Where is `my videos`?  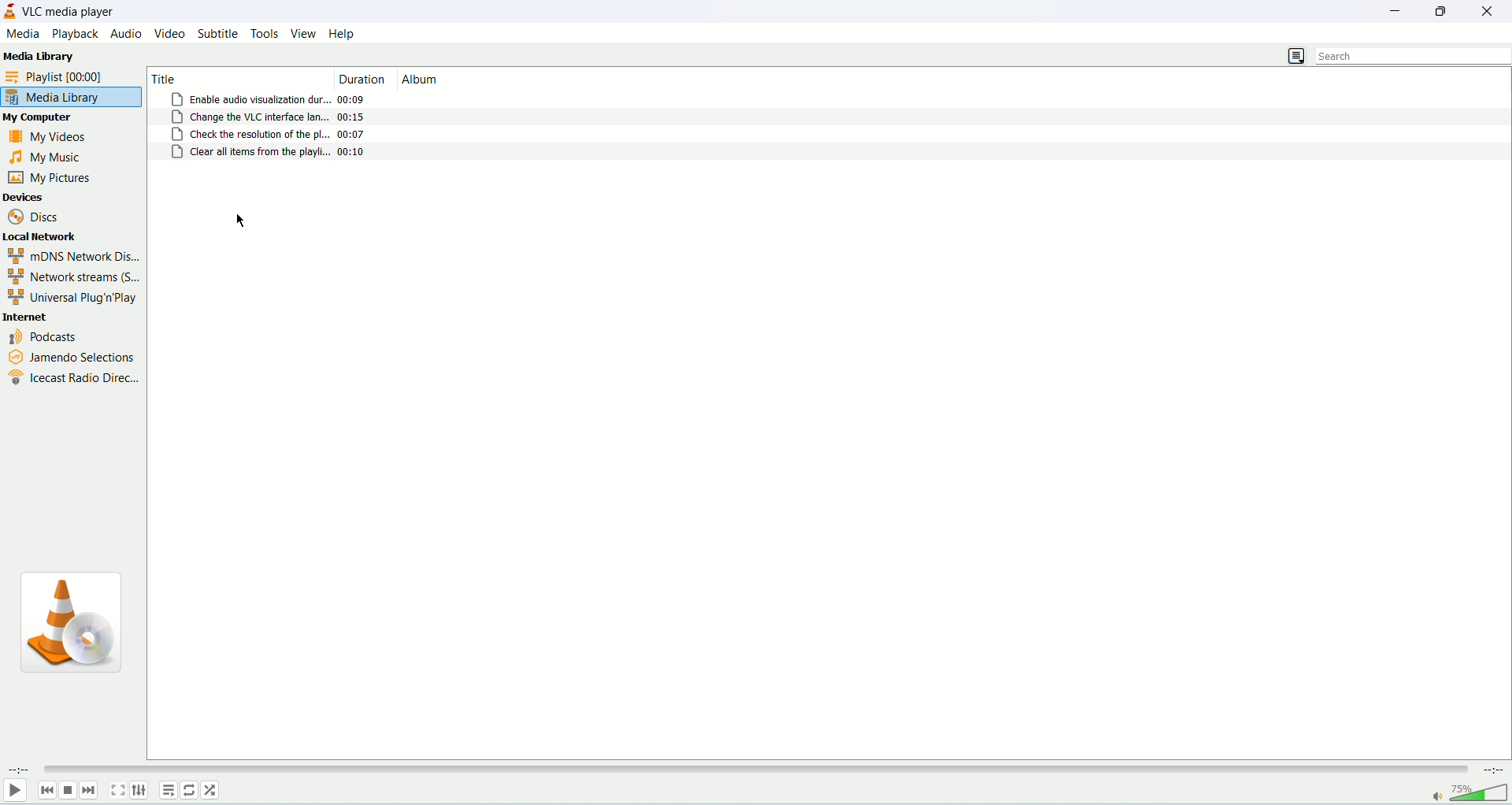
my videos is located at coordinates (50, 139).